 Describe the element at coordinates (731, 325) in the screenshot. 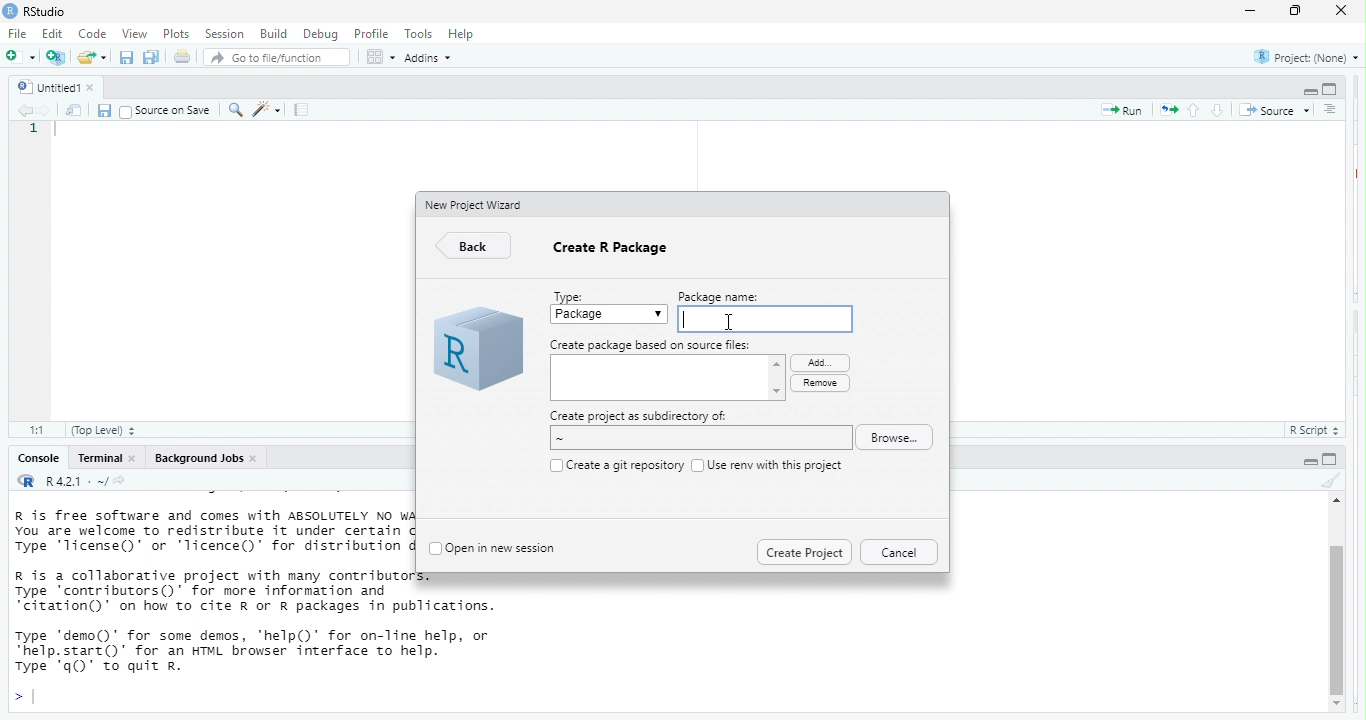

I see `cursor movement` at that location.